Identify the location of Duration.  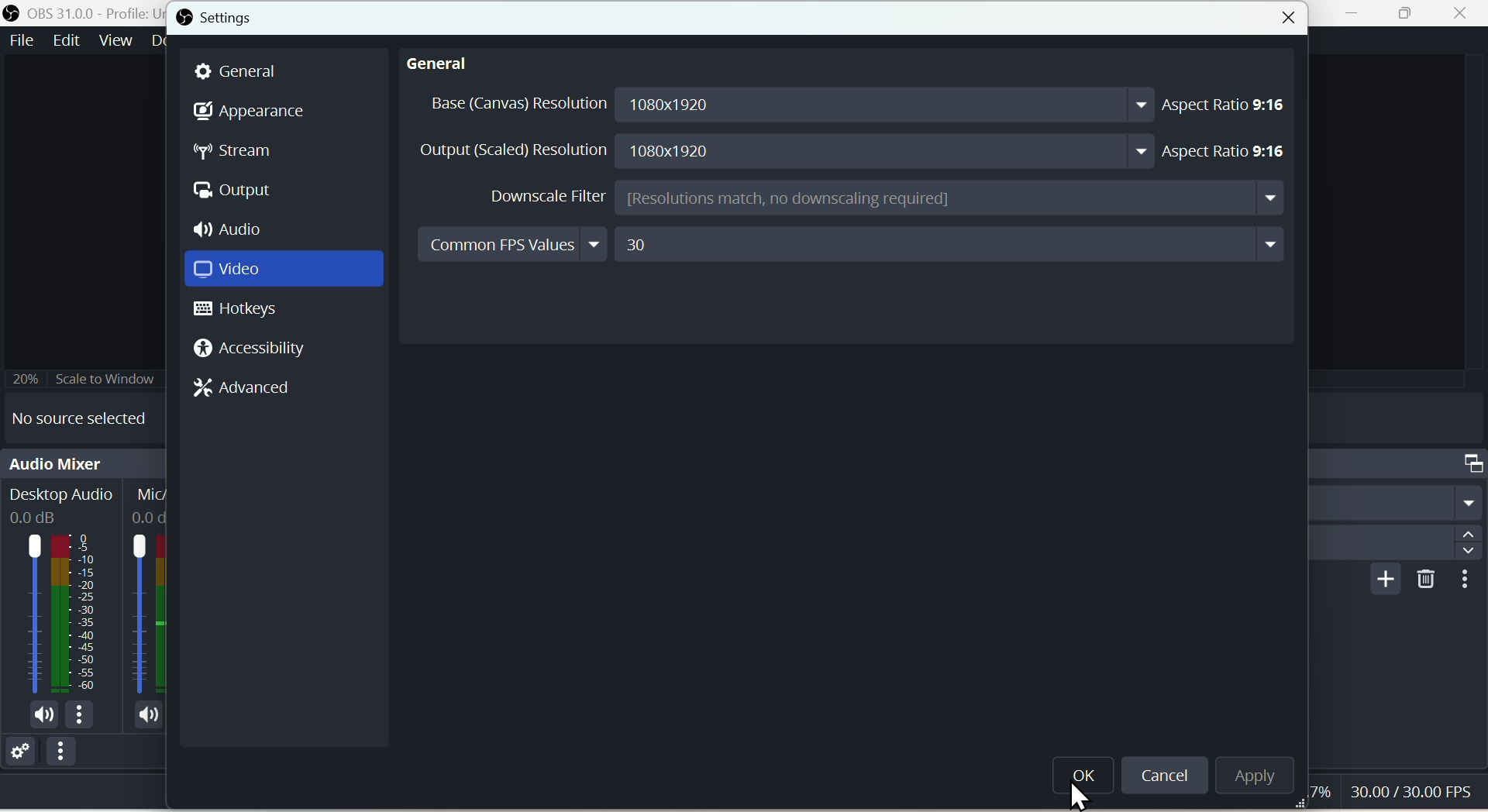
(1396, 543).